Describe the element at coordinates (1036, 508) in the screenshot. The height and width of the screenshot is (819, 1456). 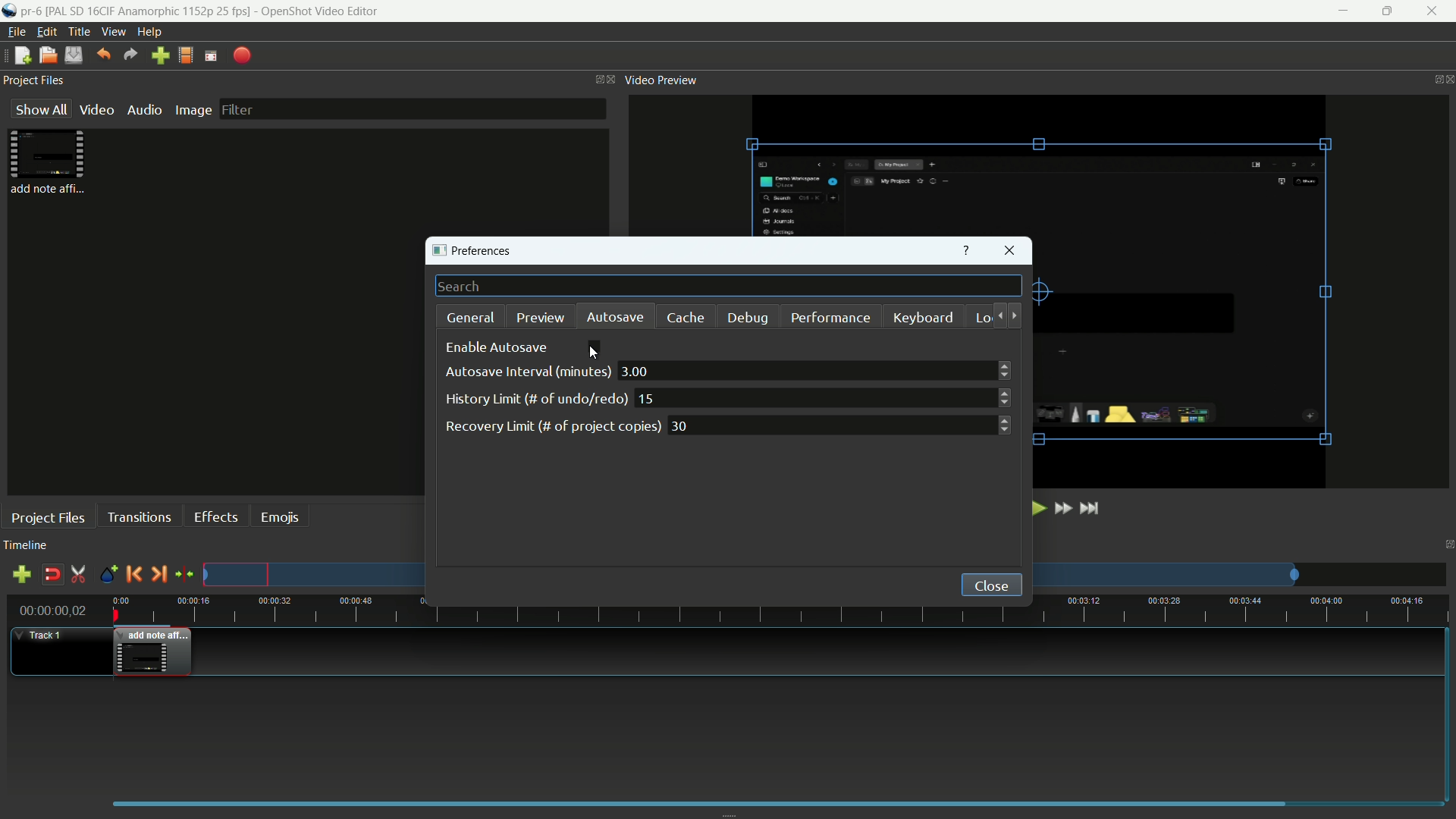
I see `play or pause` at that location.